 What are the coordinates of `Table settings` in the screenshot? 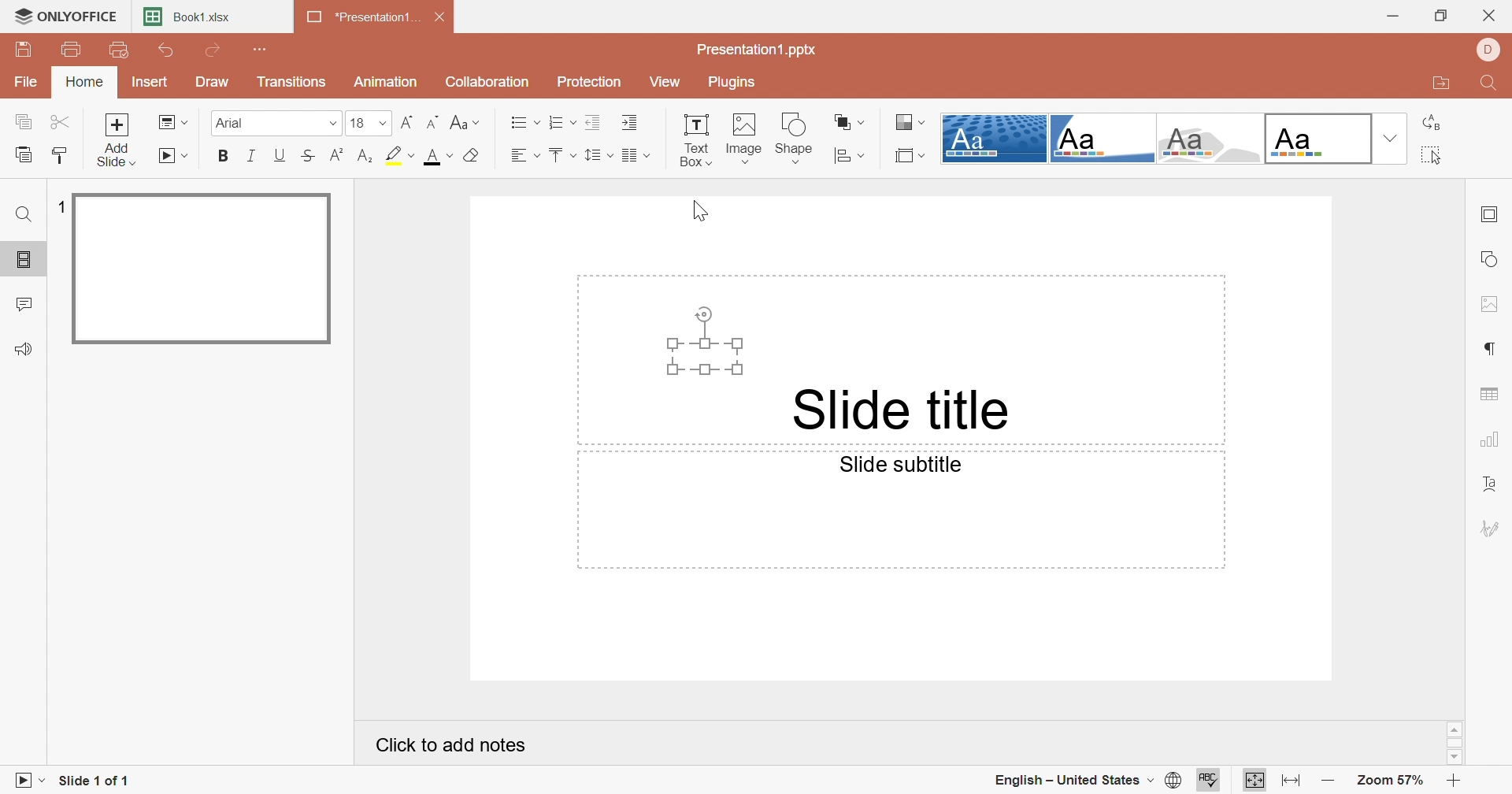 It's located at (1492, 395).